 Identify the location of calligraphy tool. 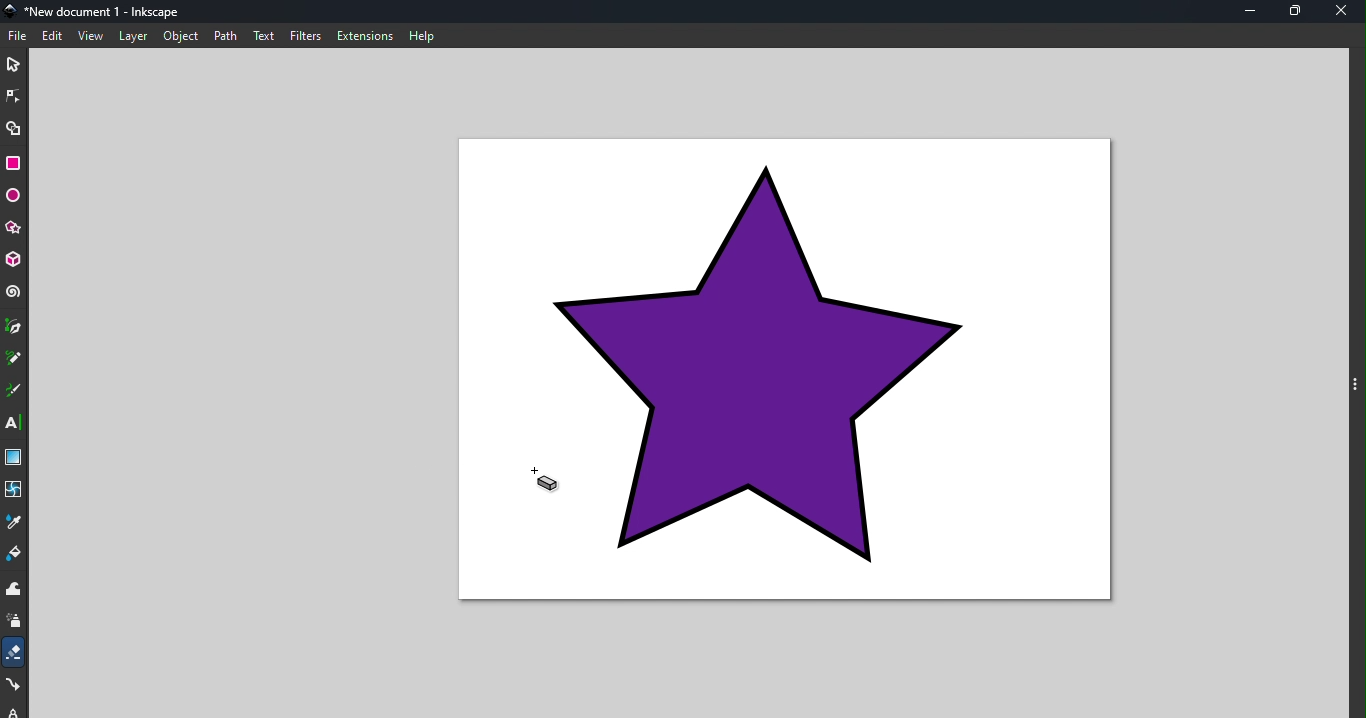
(14, 391).